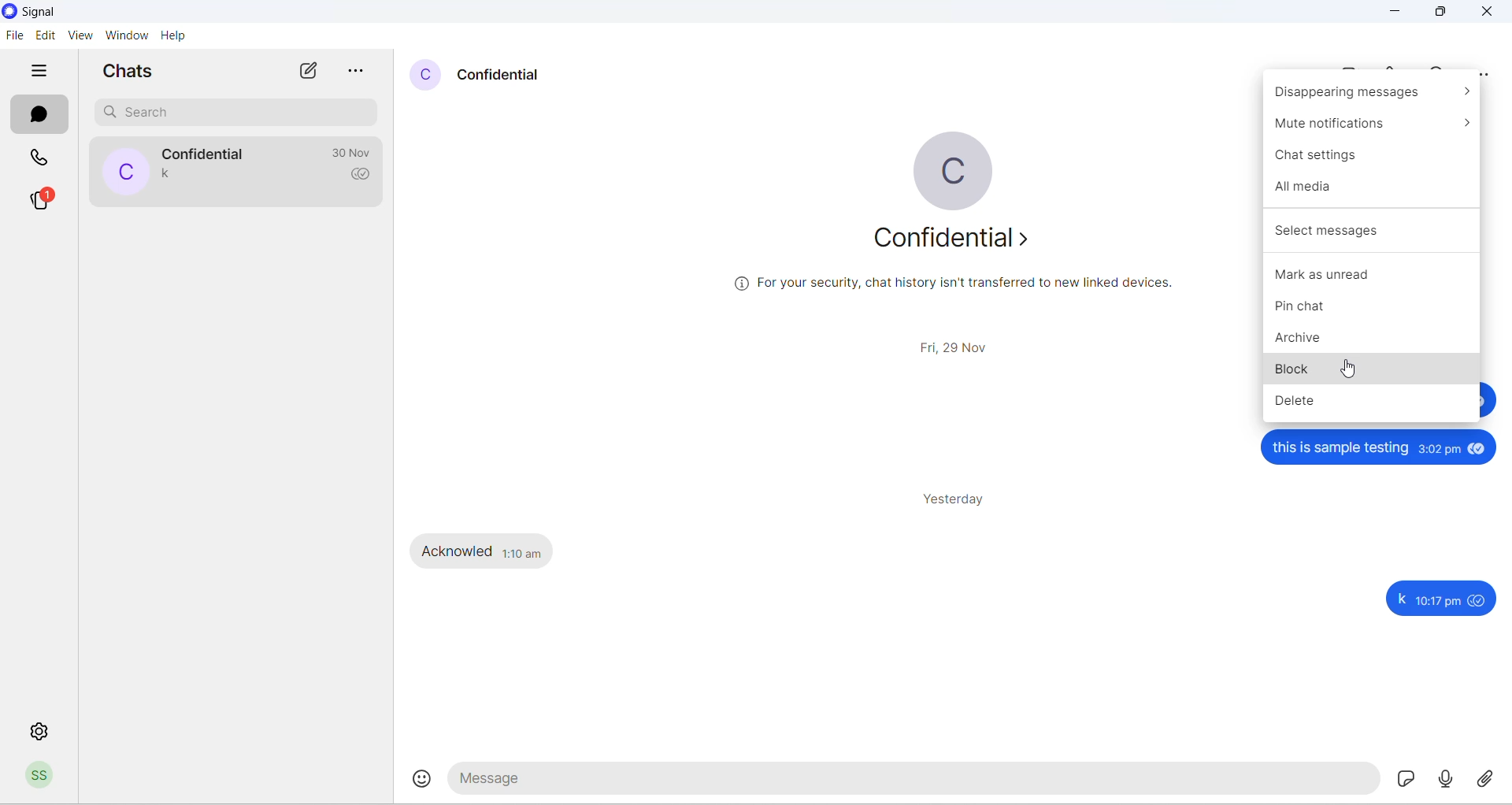 The height and width of the screenshot is (805, 1512). I want to click on 1:10 am, so click(523, 551).